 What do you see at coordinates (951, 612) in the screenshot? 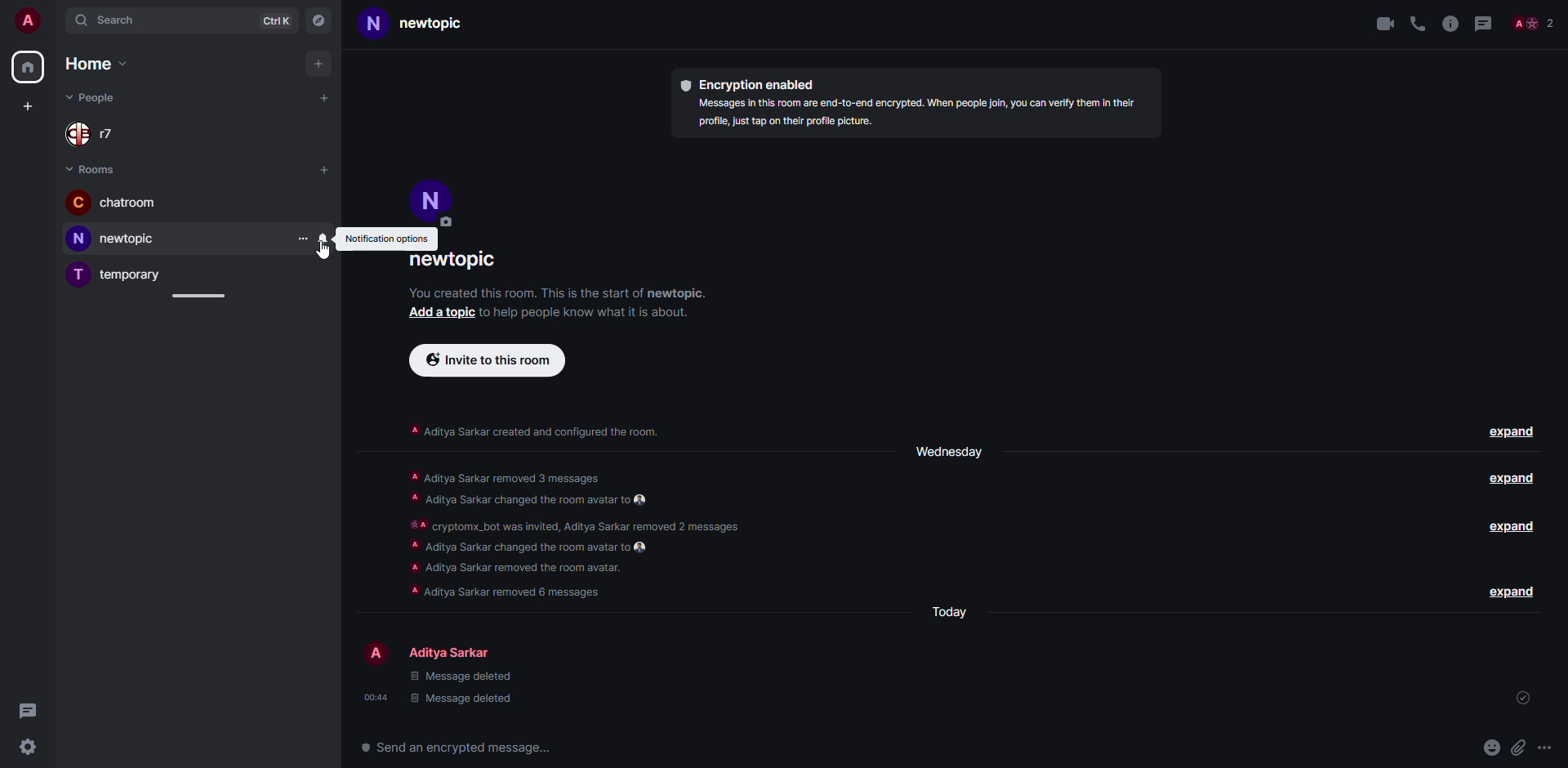
I see `day` at bounding box center [951, 612].